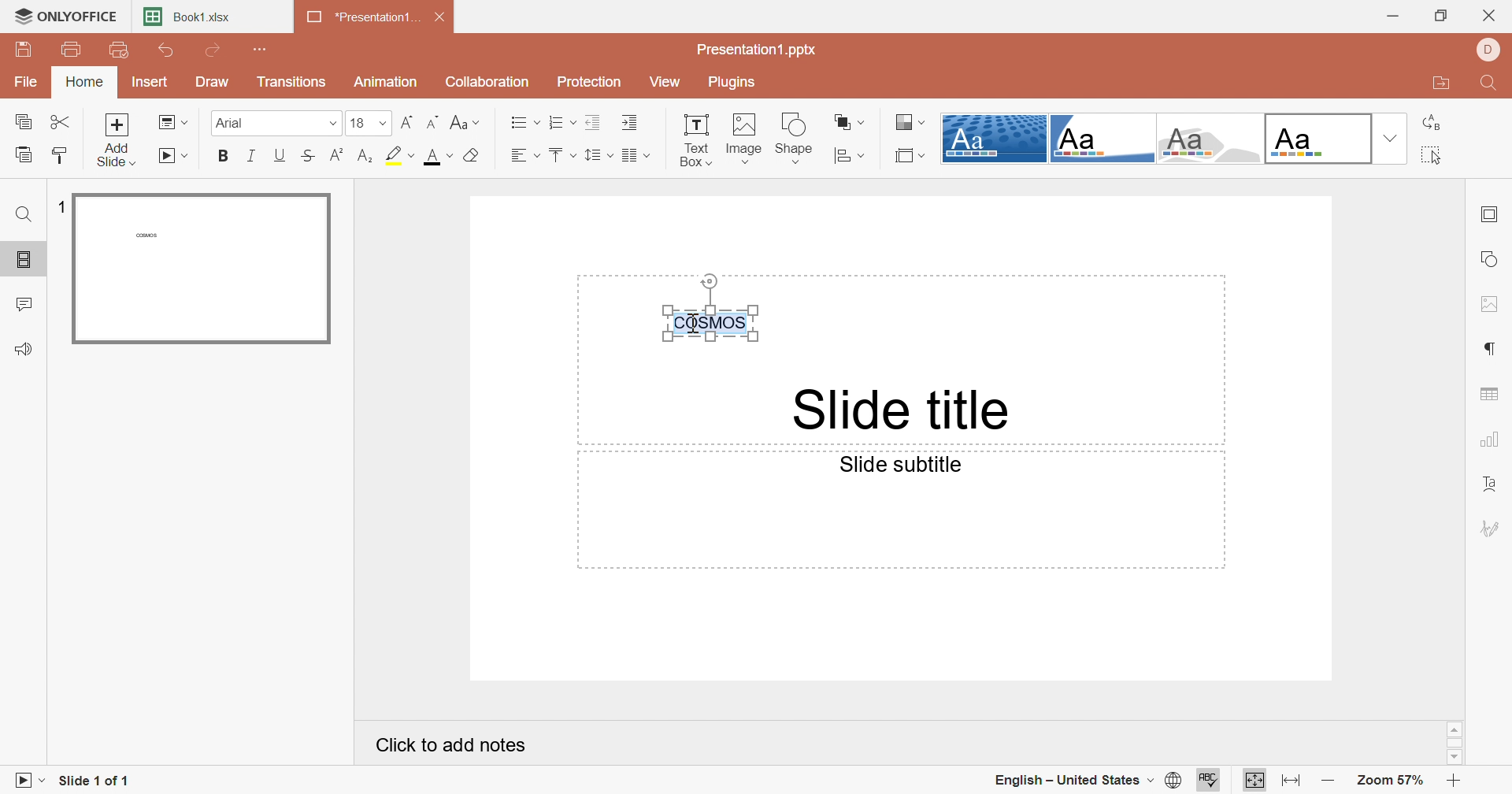 This screenshot has height=794, width=1512. What do you see at coordinates (224, 155) in the screenshot?
I see `Bold` at bounding box center [224, 155].